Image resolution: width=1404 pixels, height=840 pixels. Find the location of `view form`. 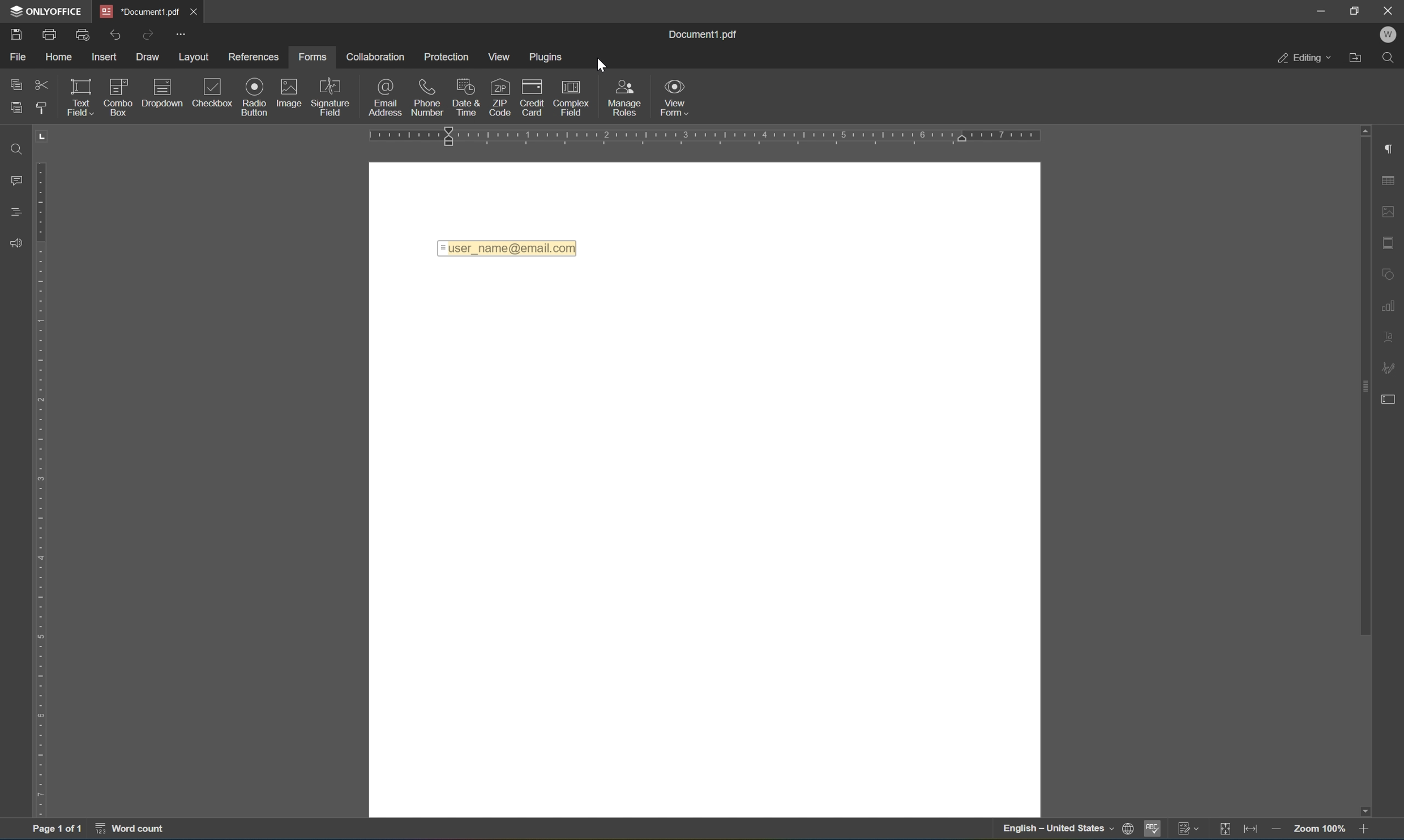

view form is located at coordinates (675, 97).